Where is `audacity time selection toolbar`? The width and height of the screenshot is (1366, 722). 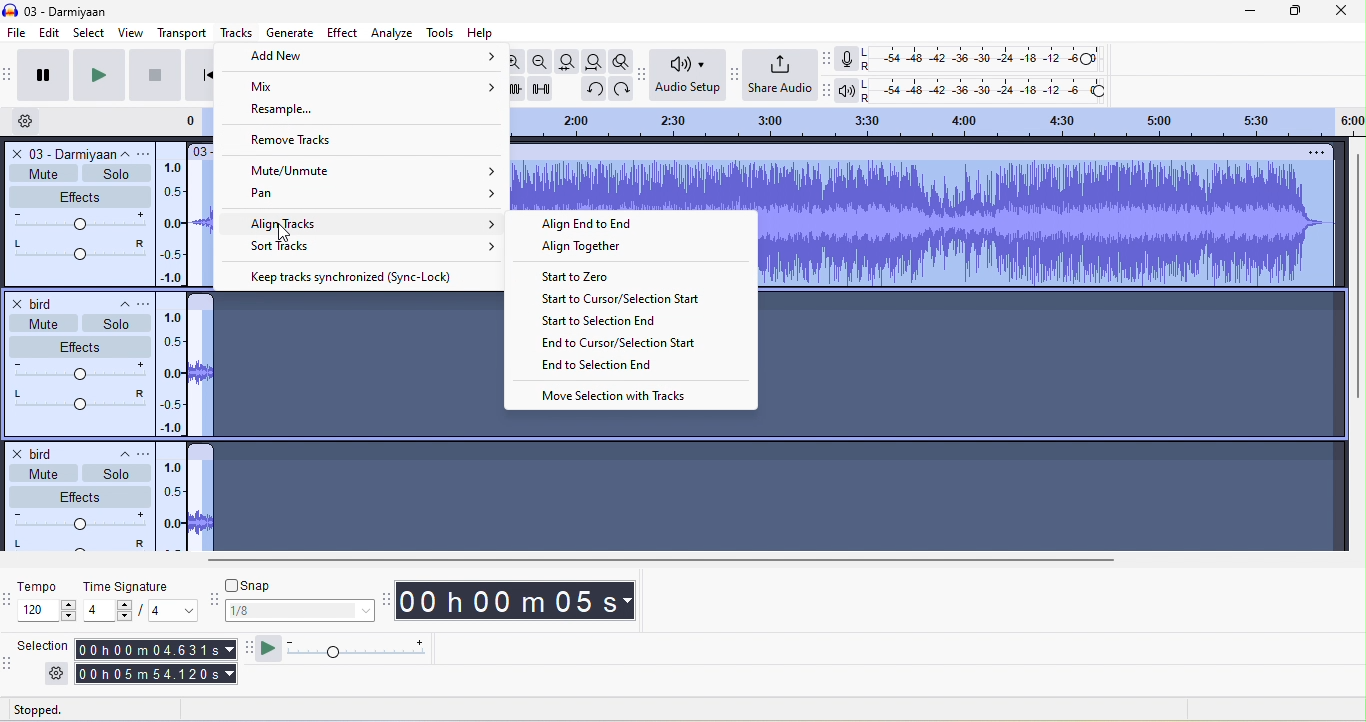
audacity time selection toolbar is located at coordinates (9, 598).